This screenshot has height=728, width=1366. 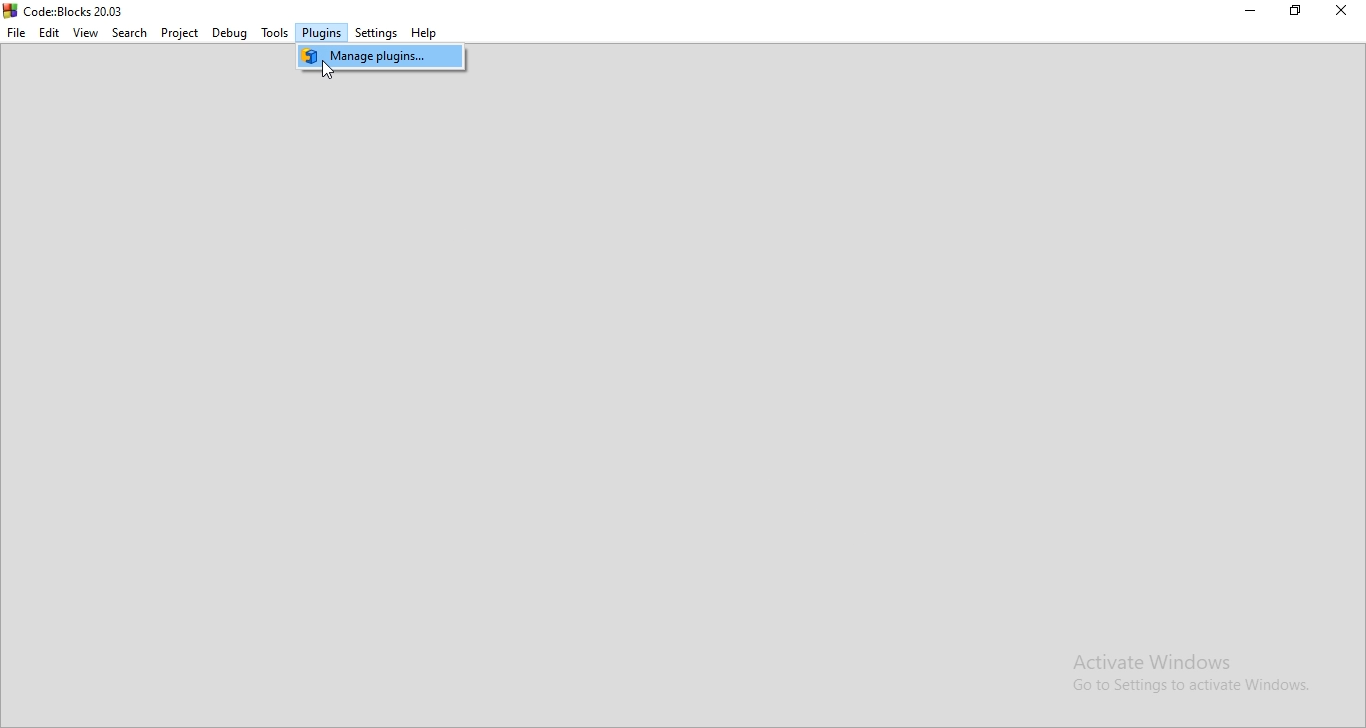 I want to click on Settings, so click(x=377, y=34).